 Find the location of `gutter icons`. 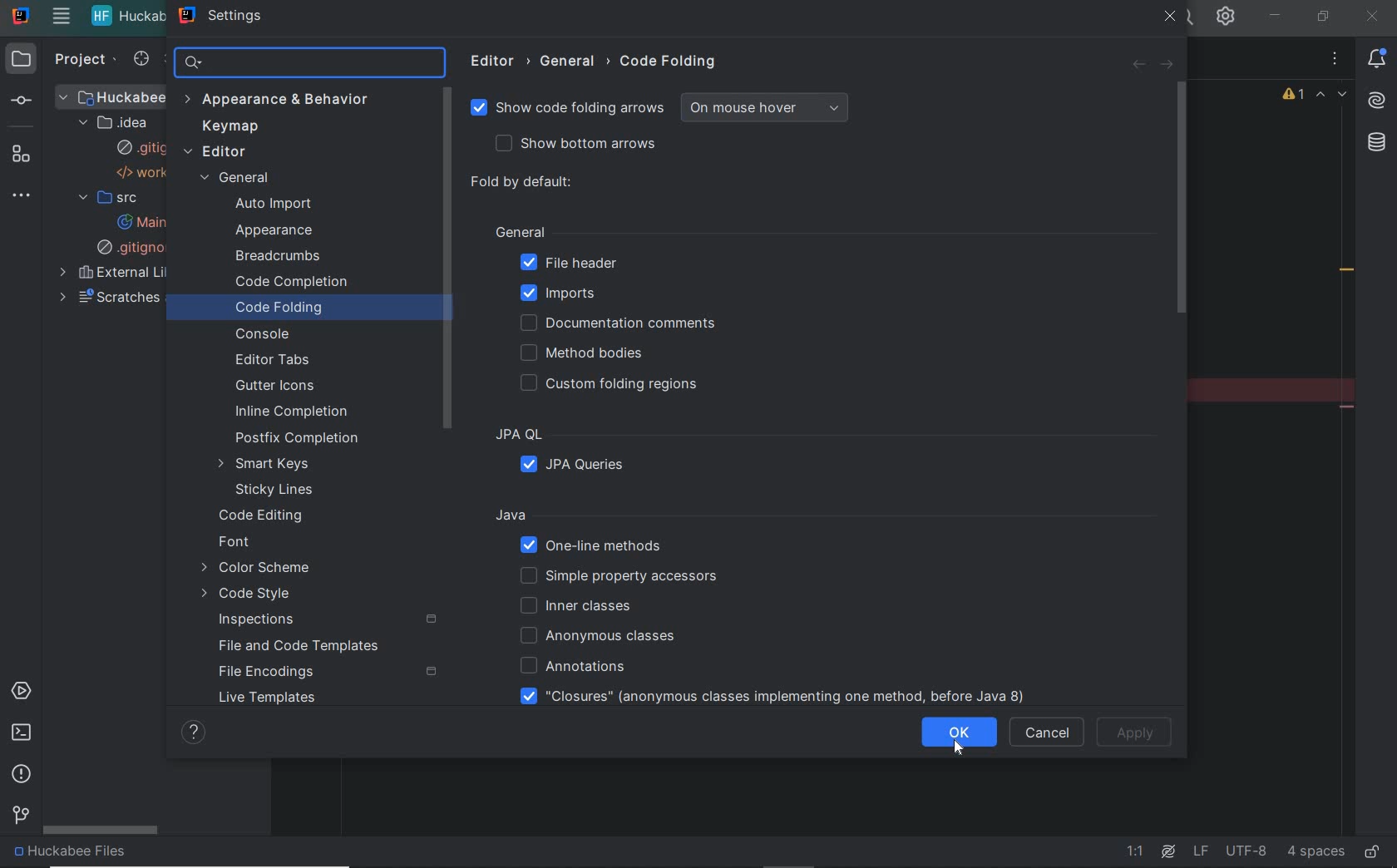

gutter icons is located at coordinates (283, 386).